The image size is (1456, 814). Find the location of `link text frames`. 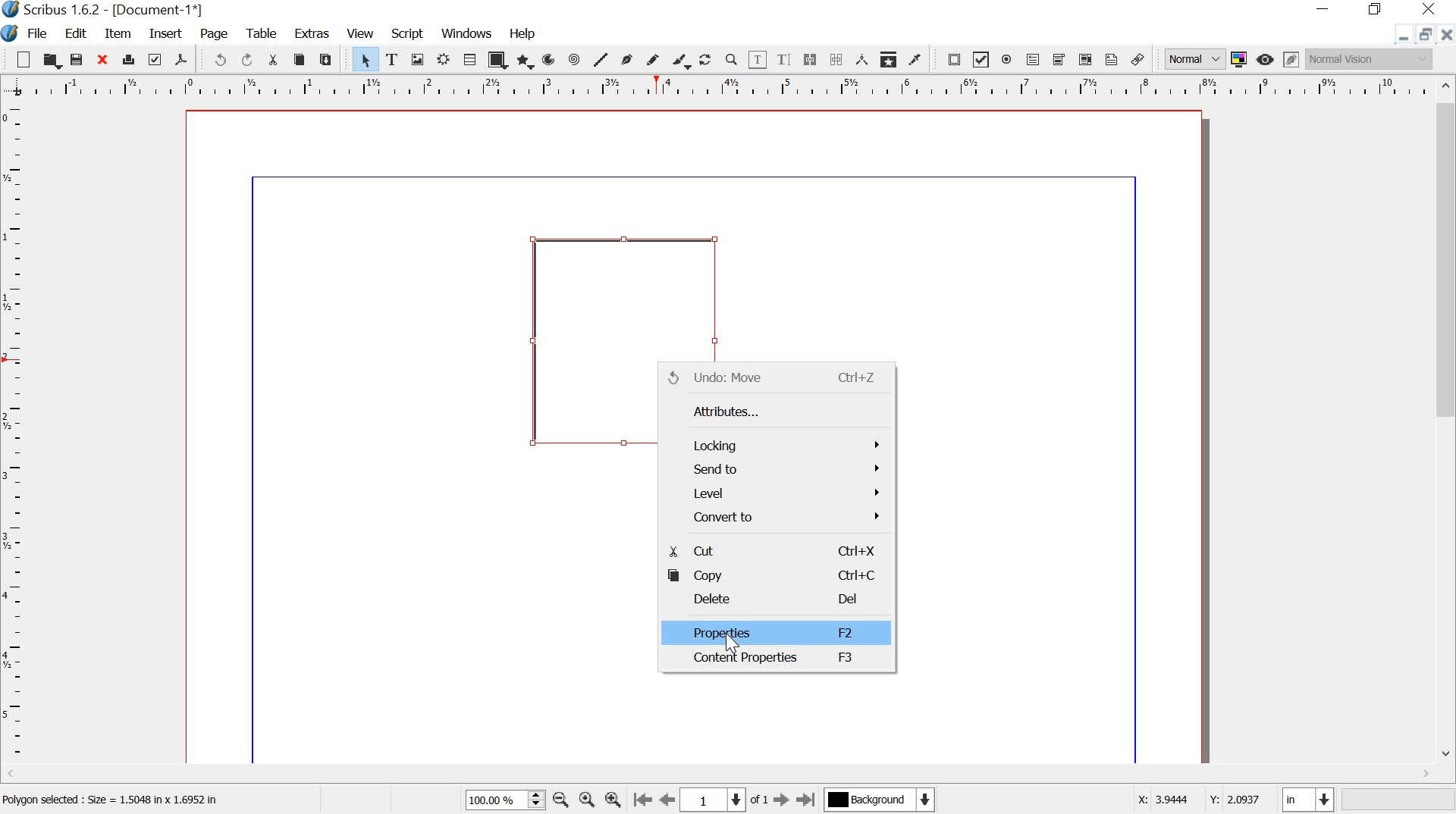

link text frames is located at coordinates (810, 60).